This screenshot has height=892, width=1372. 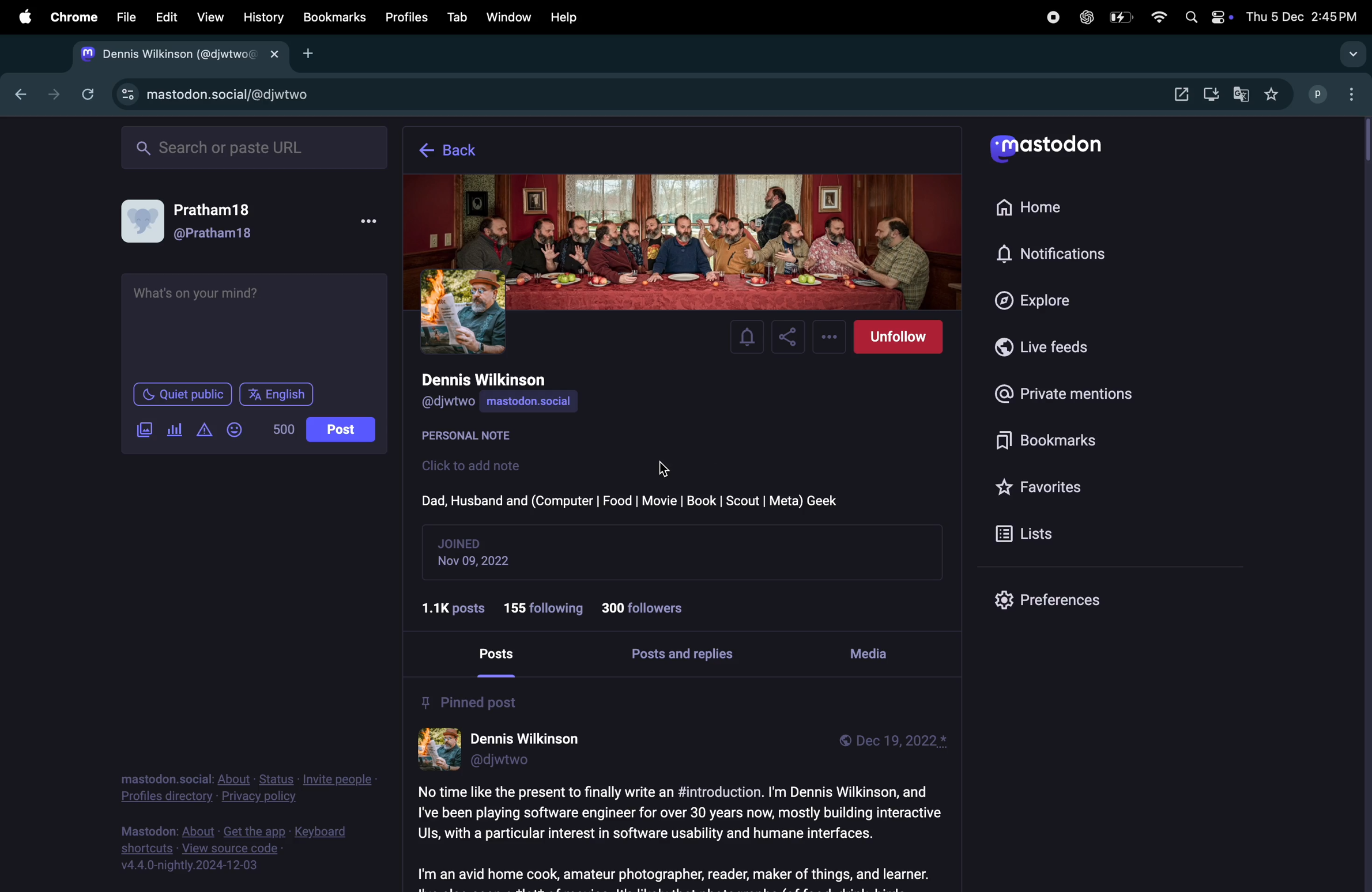 What do you see at coordinates (1177, 92) in the screenshot?
I see `open link` at bounding box center [1177, 92].